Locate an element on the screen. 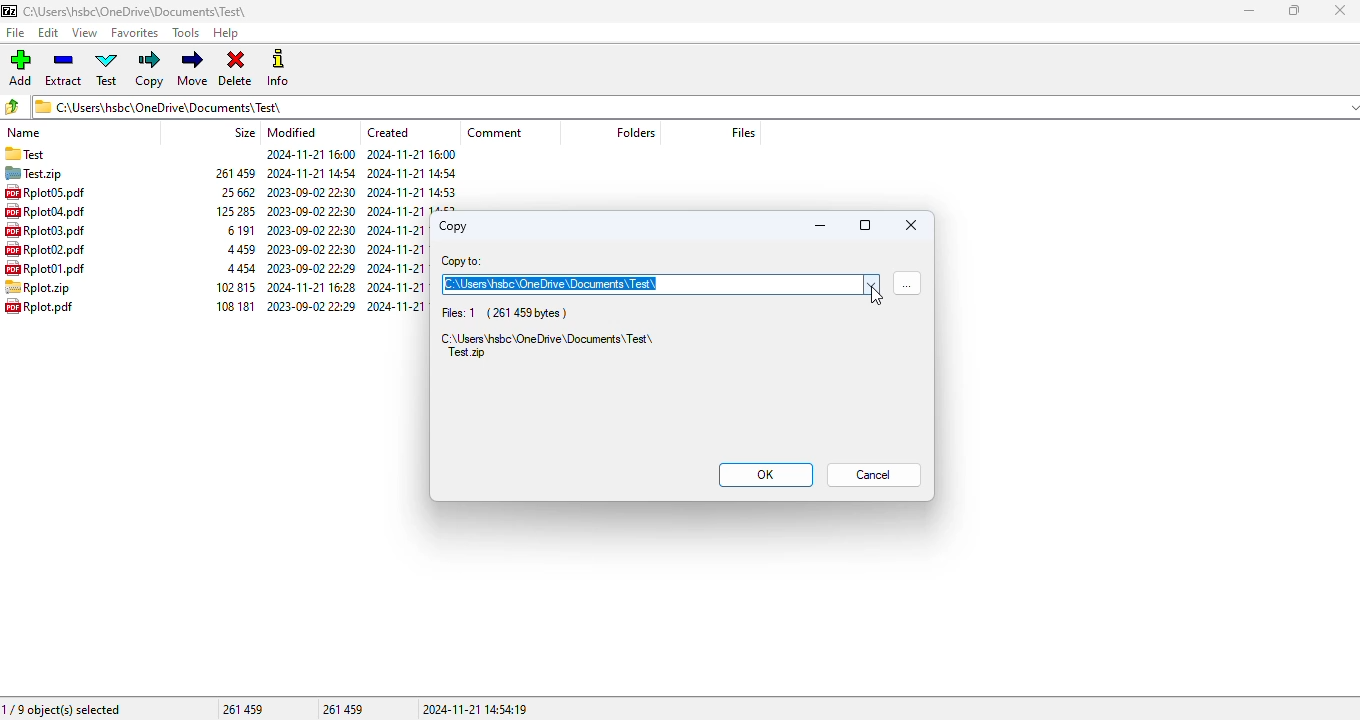  maximize is located at coordinates (1292, 10).